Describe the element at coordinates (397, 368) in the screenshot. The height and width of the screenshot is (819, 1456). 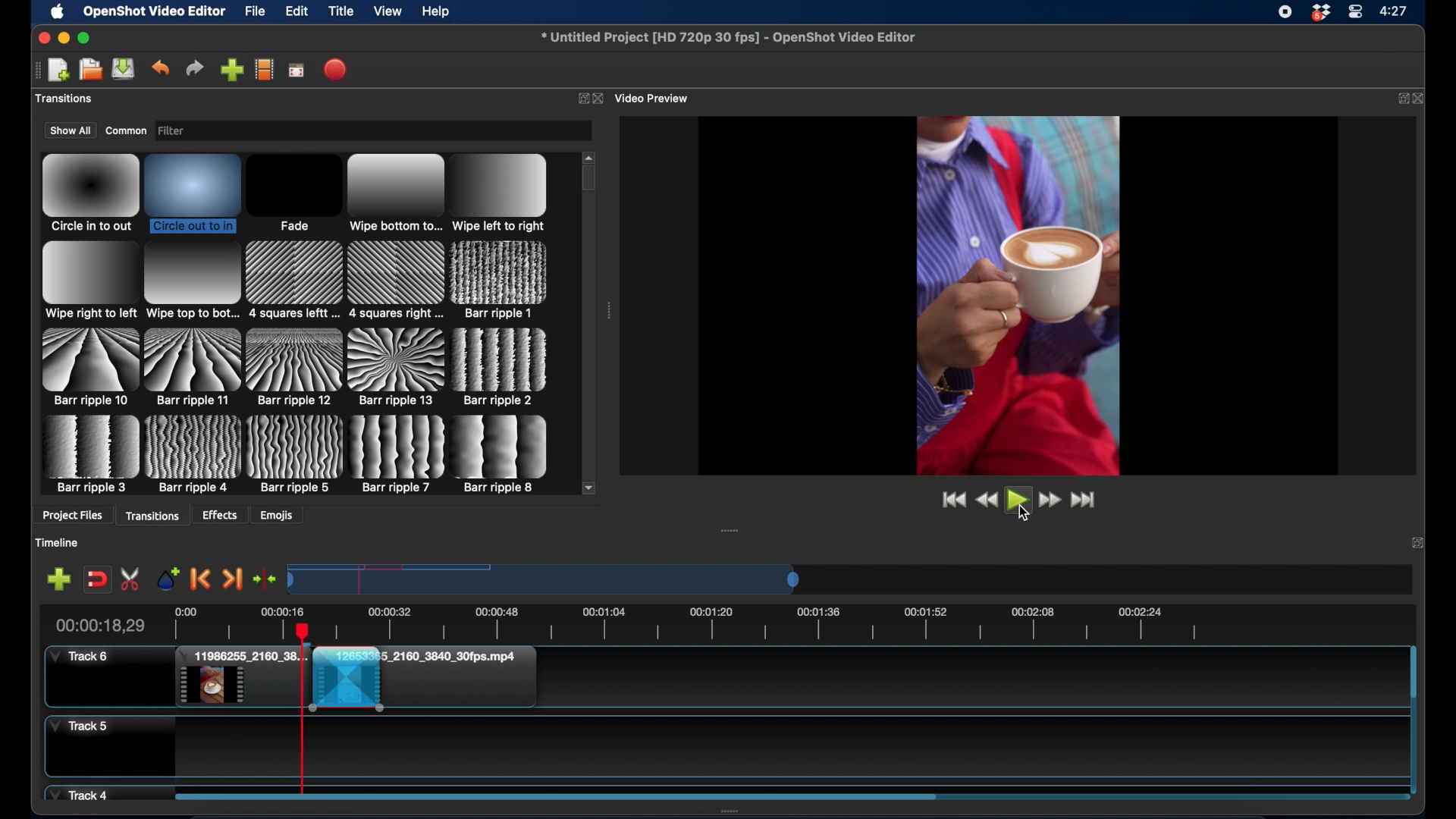
I see `transition` at that location.